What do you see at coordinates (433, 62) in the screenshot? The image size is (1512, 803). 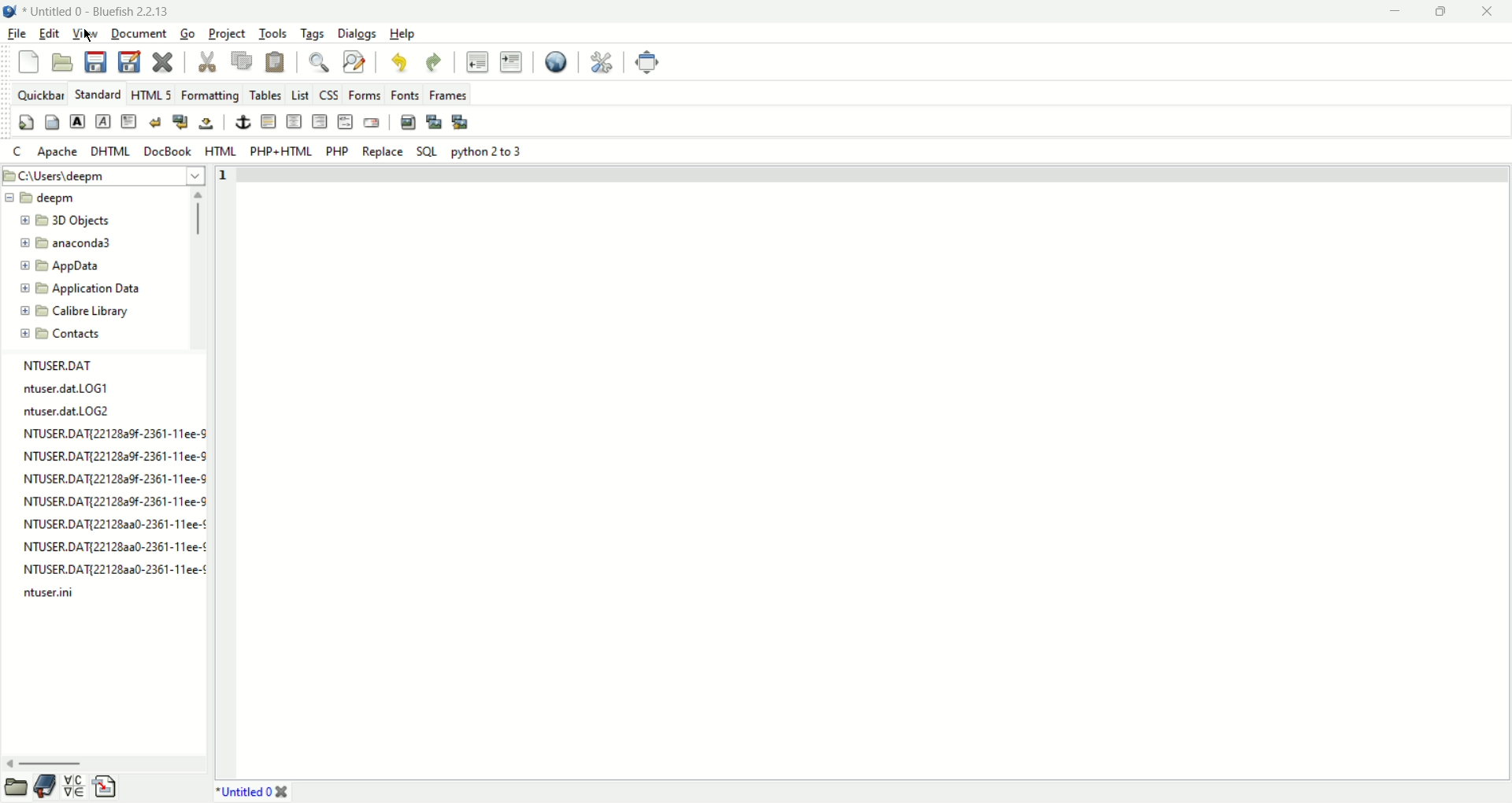 I see `redo` at bounding box center [433, 62].